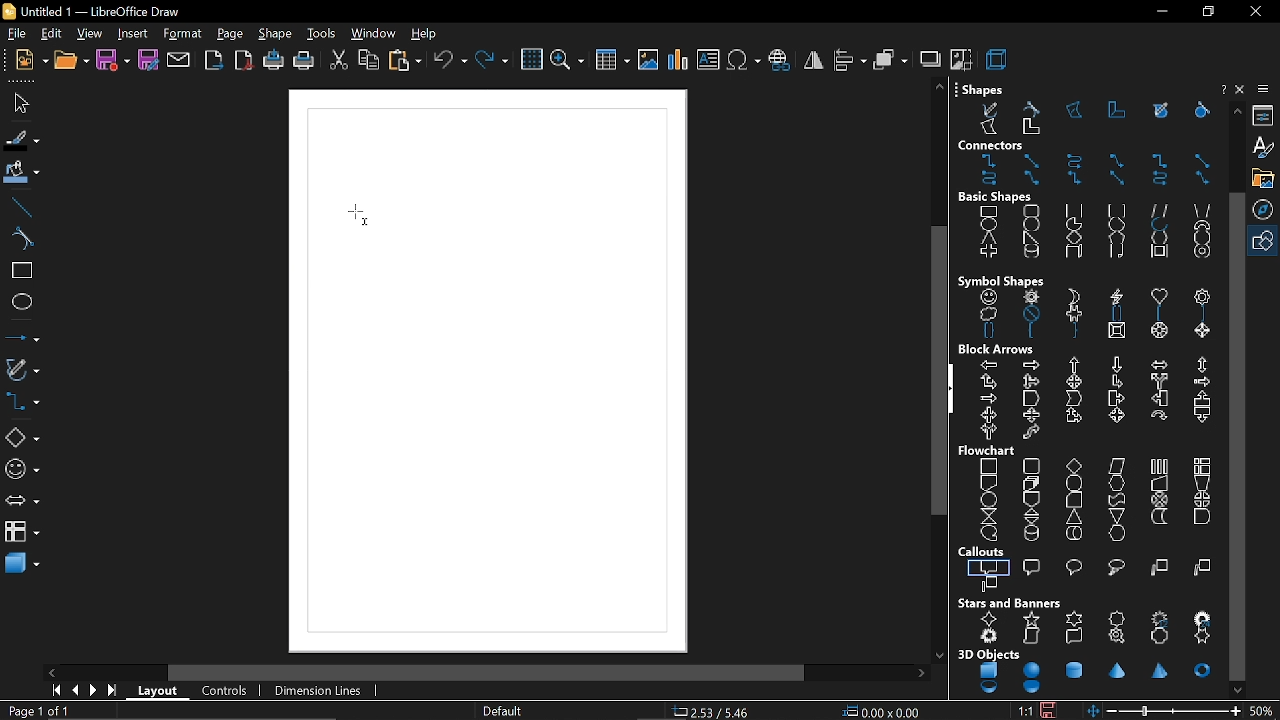 The image size is (1280, 720). I want to click on move down, so click(1237, 690).